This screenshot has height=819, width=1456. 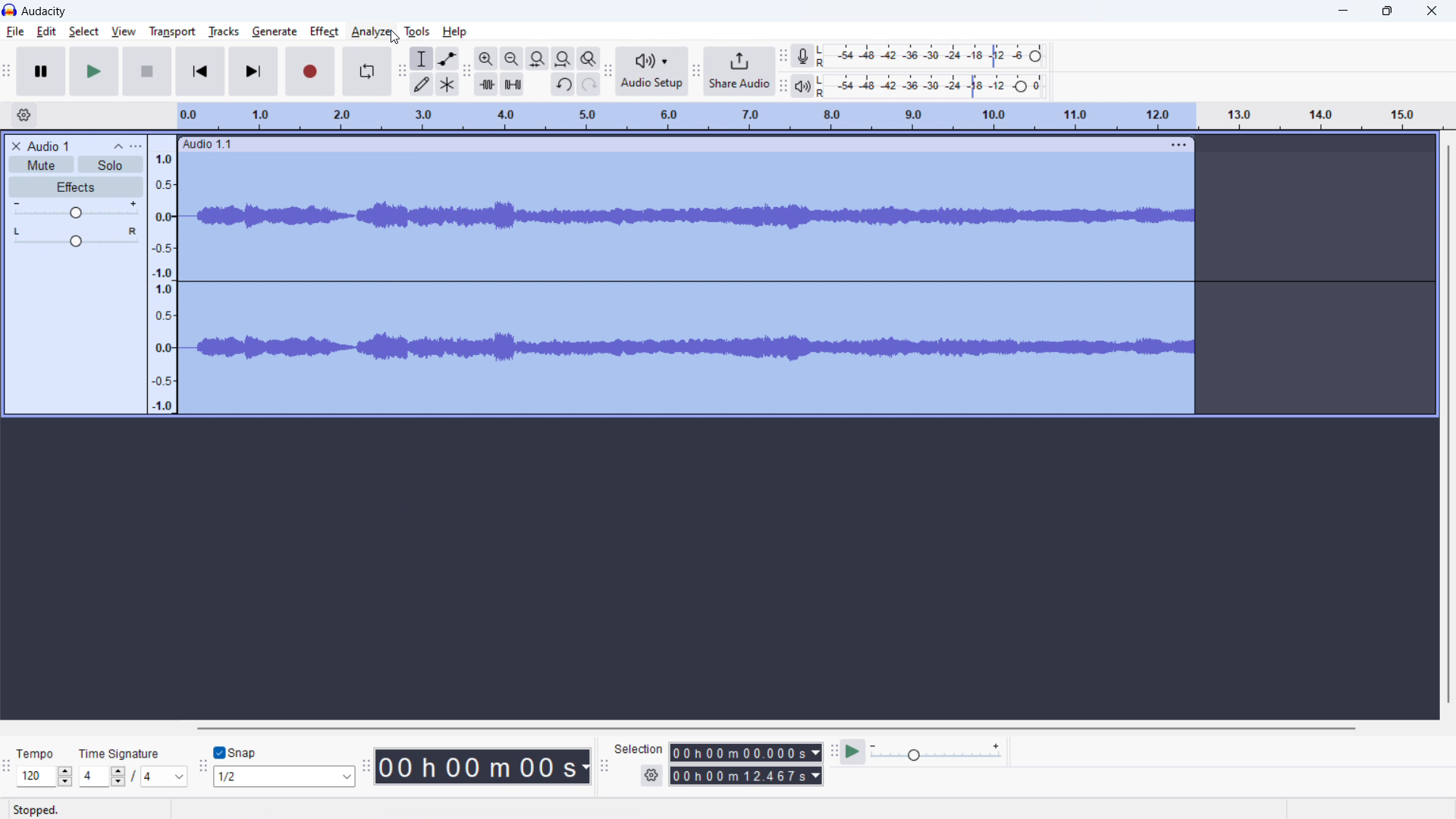 What do you see at coordinates (467, 73) in the screenshot?
I see `edit toolbar` at bounding box center [467, 73].